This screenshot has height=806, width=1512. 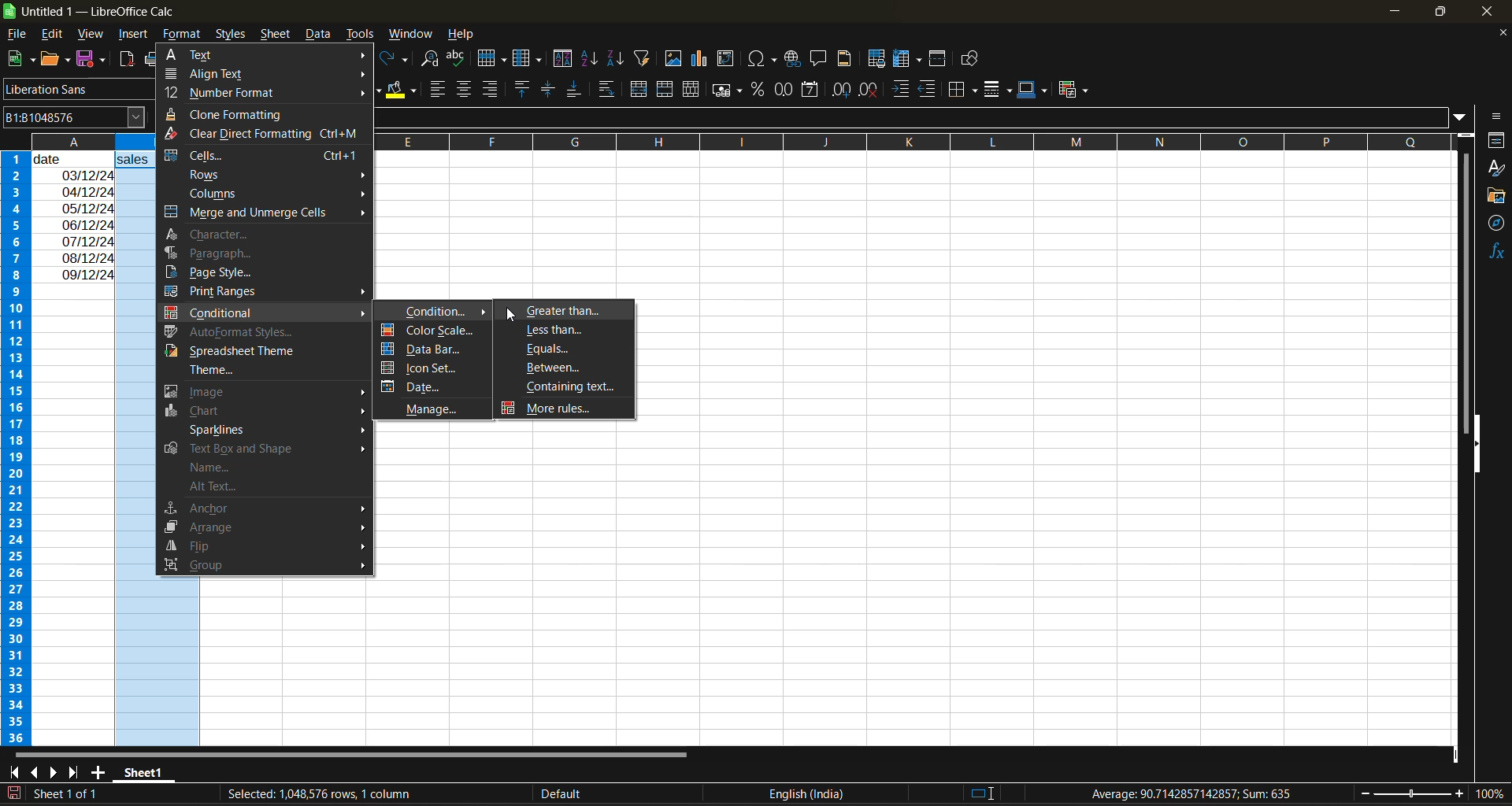 I want to click on flip, so click(x=264, y=545).